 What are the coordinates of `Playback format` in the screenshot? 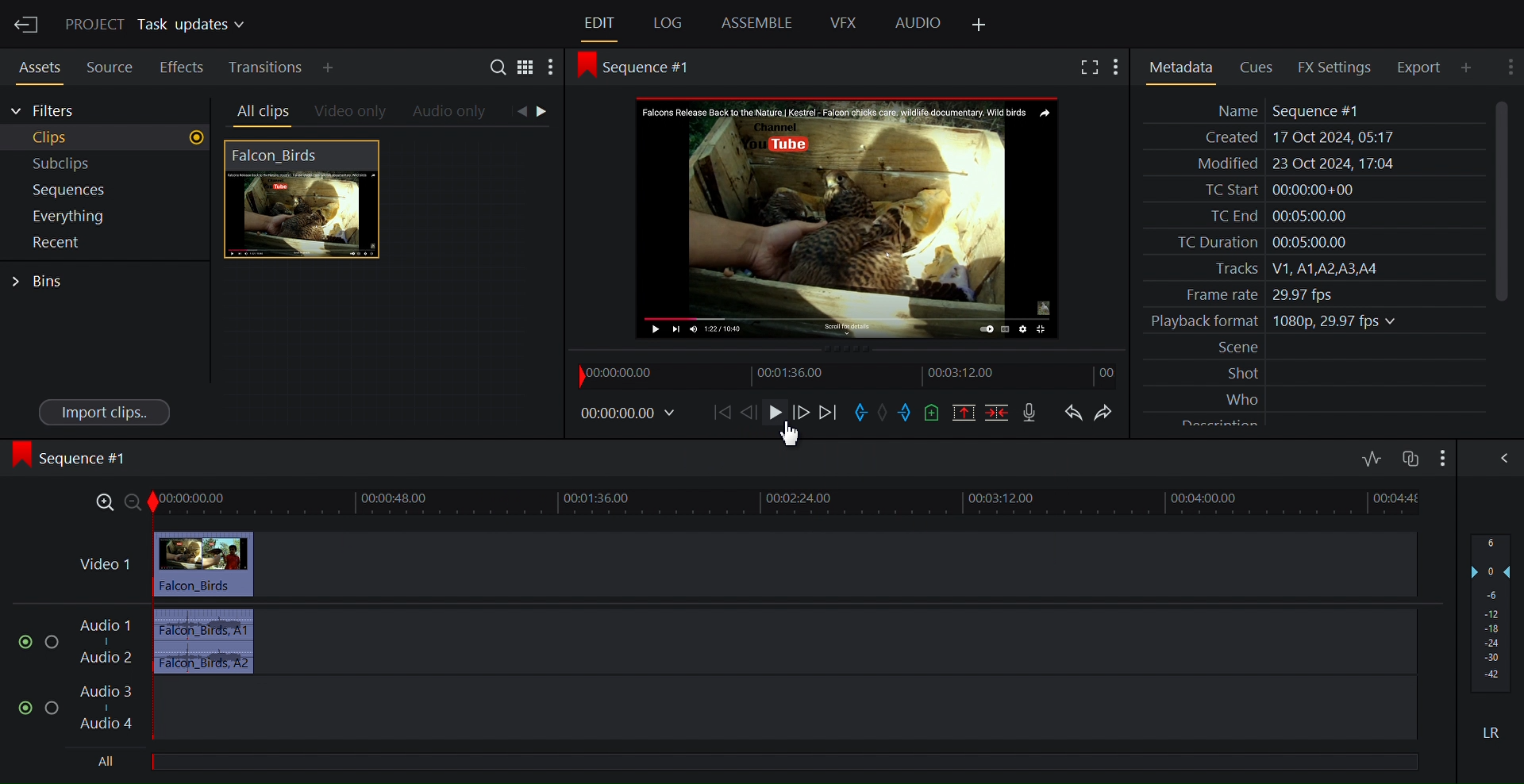 It's located at (1312, 321).